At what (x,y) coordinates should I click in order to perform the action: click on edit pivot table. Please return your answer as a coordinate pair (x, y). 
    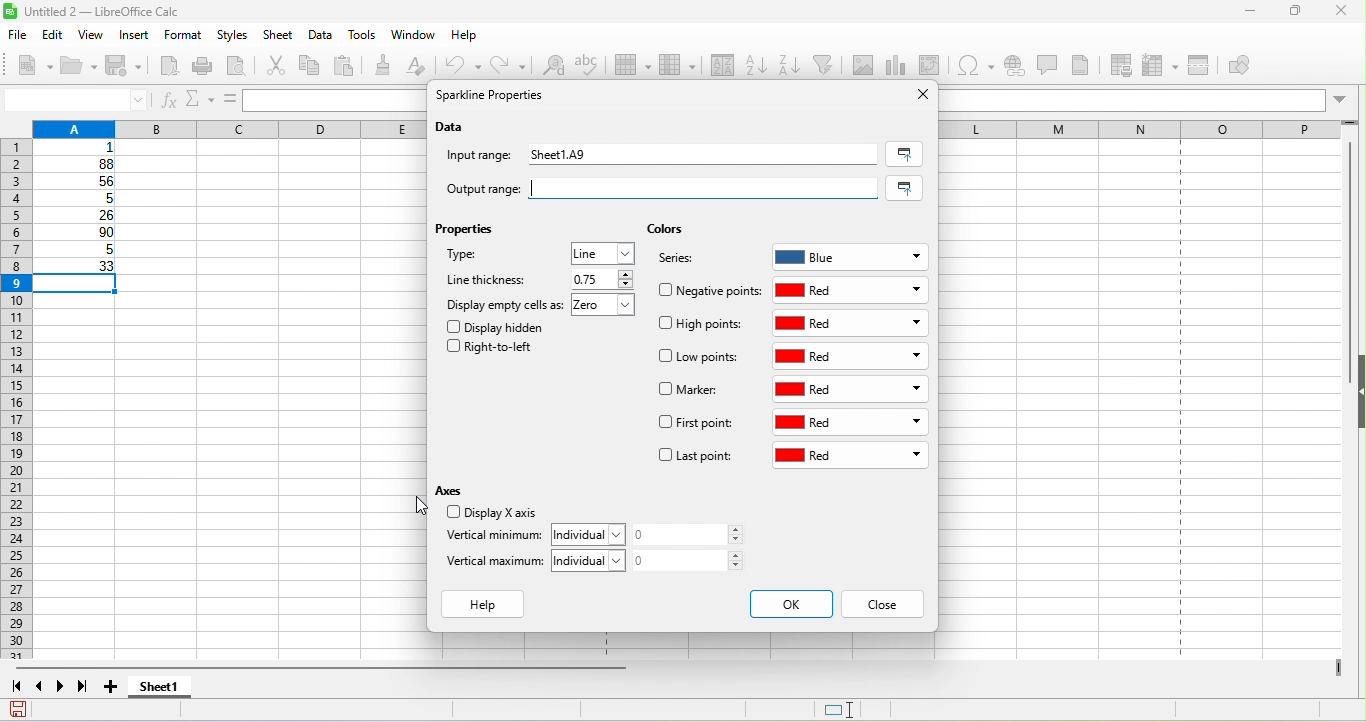
    Looking at the image, I should click on (934, 65).